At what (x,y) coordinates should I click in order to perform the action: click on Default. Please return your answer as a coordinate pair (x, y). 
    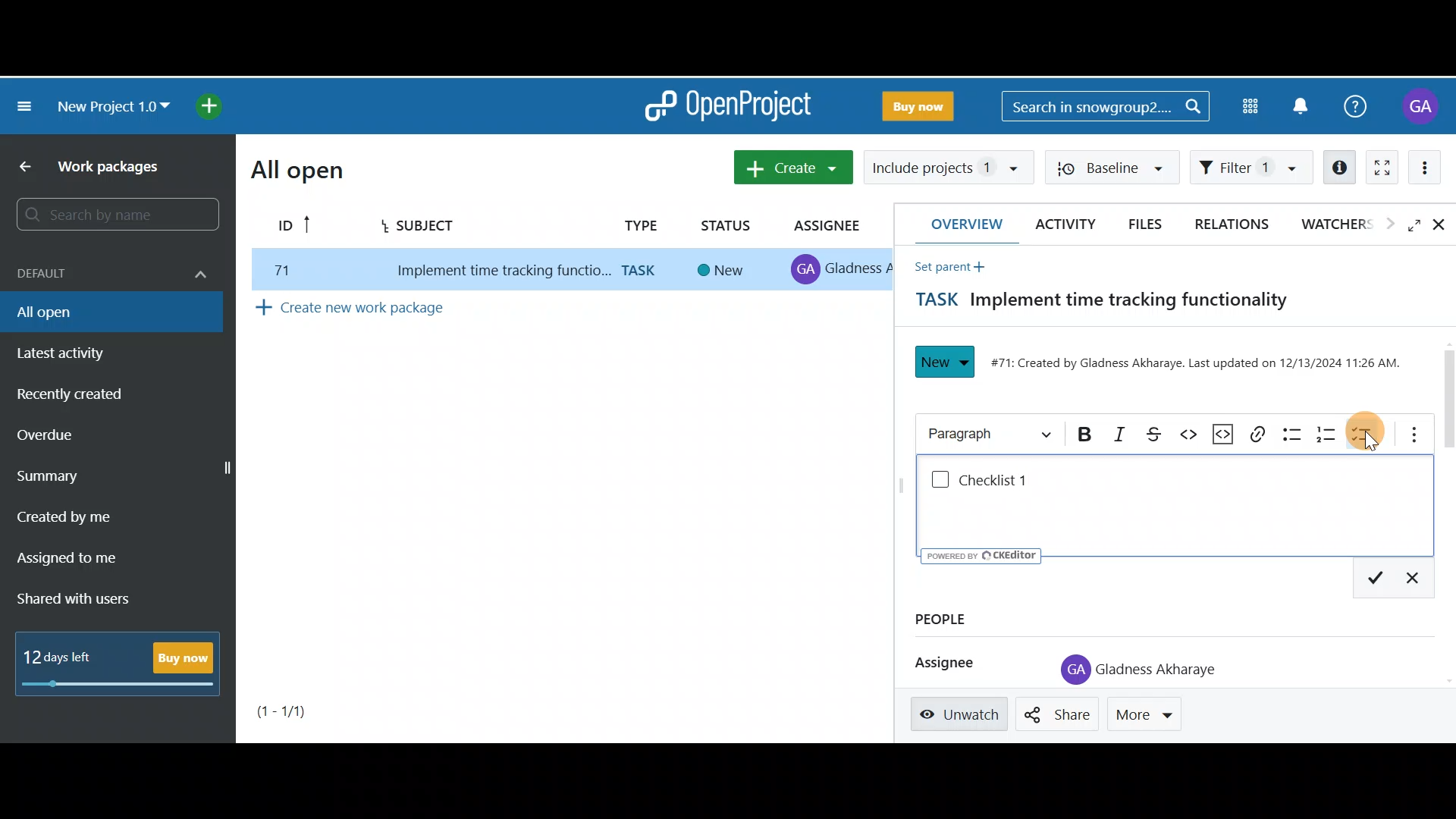
    Looking at the image, I should click on (109, 273).